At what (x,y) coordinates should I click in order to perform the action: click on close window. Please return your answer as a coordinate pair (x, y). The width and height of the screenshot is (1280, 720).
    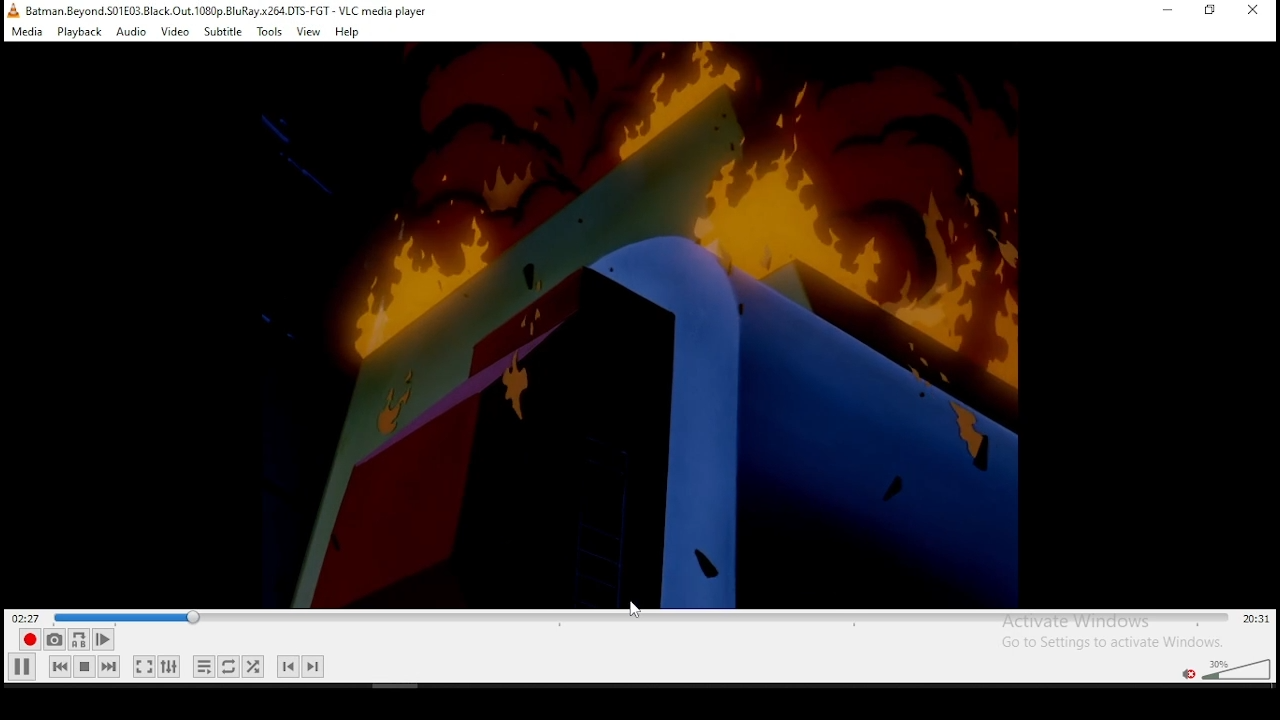
    Looking at the image, I should click on (1255, 10).